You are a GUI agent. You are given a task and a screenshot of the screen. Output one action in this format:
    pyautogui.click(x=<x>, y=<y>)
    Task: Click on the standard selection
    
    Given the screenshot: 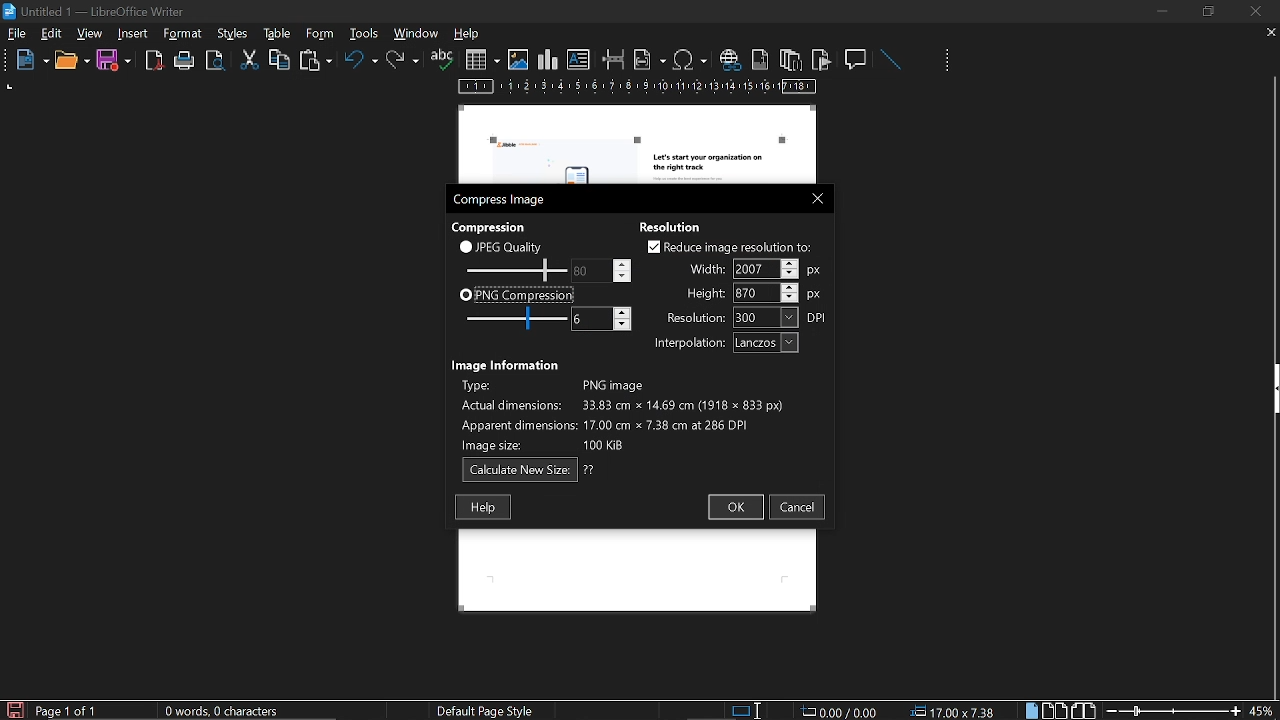 What is the action you would take?
    pyautogui.click(x=748, y=710)
    